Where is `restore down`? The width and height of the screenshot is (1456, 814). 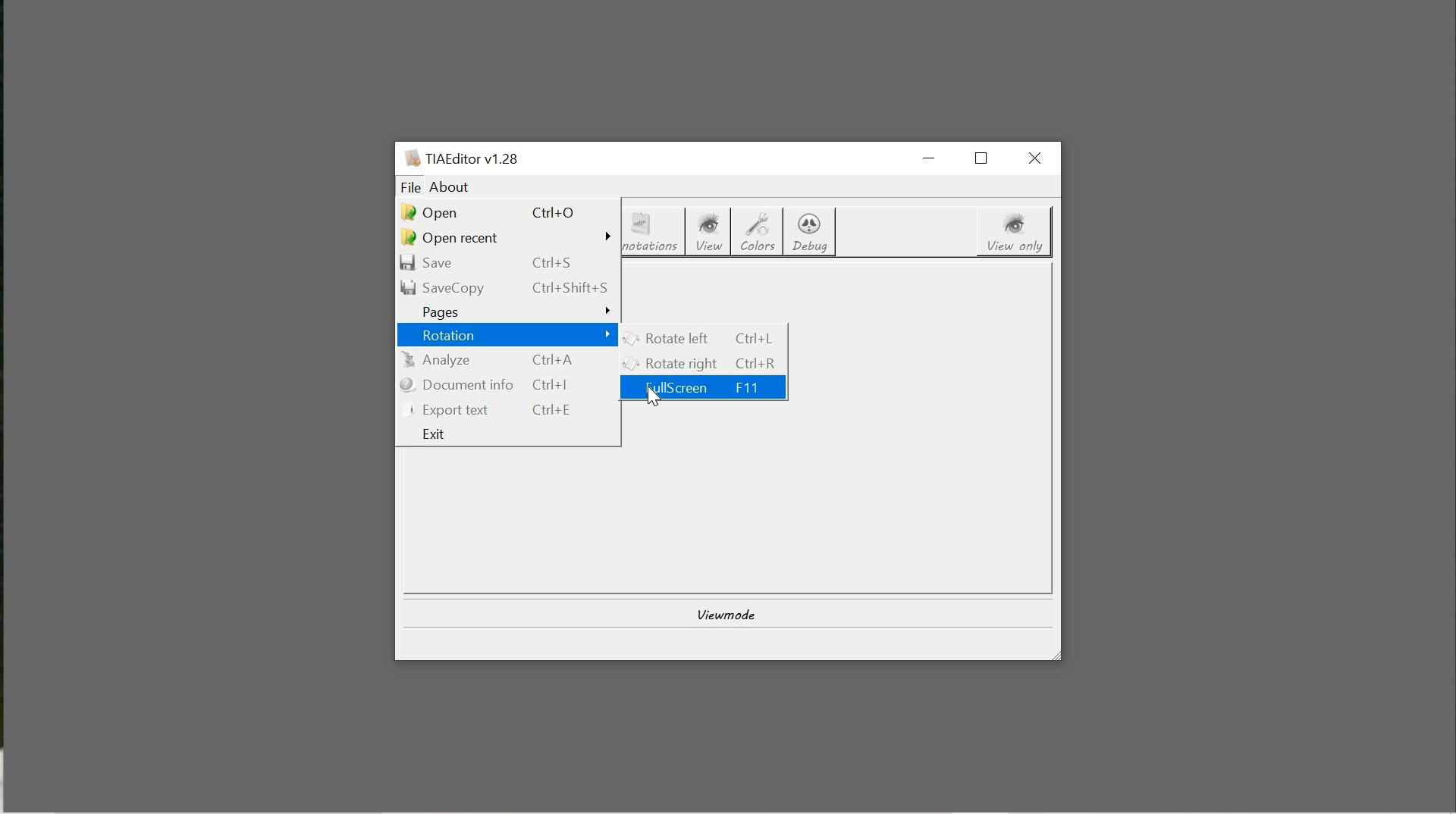
restore down is located at coordinates (986, 158).